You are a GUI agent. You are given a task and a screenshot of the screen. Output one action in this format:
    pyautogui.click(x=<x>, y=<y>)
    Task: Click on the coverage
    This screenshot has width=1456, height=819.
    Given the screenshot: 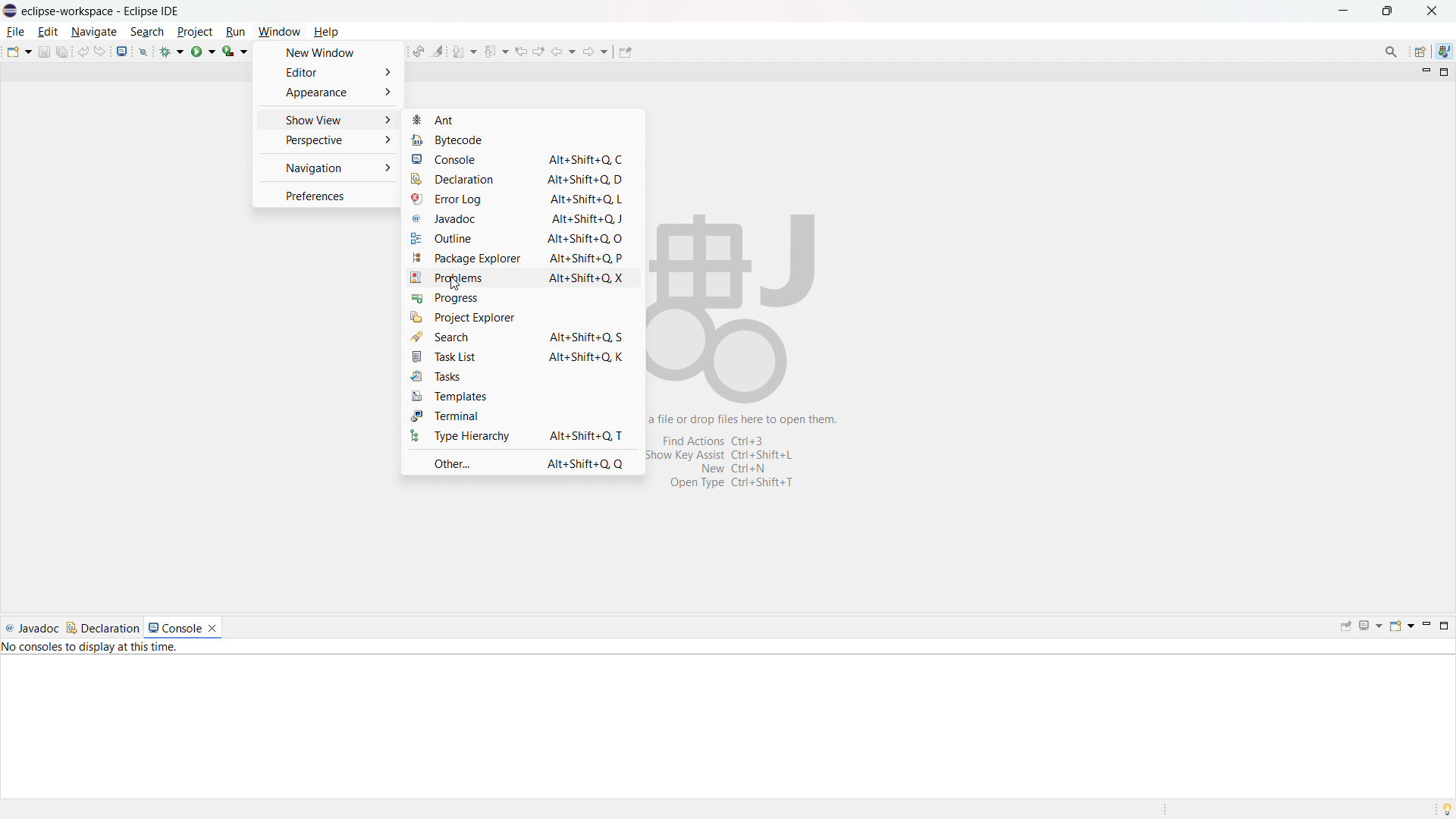 What is the action you would take?
    pyautogui.click(x=236, y=51)
    